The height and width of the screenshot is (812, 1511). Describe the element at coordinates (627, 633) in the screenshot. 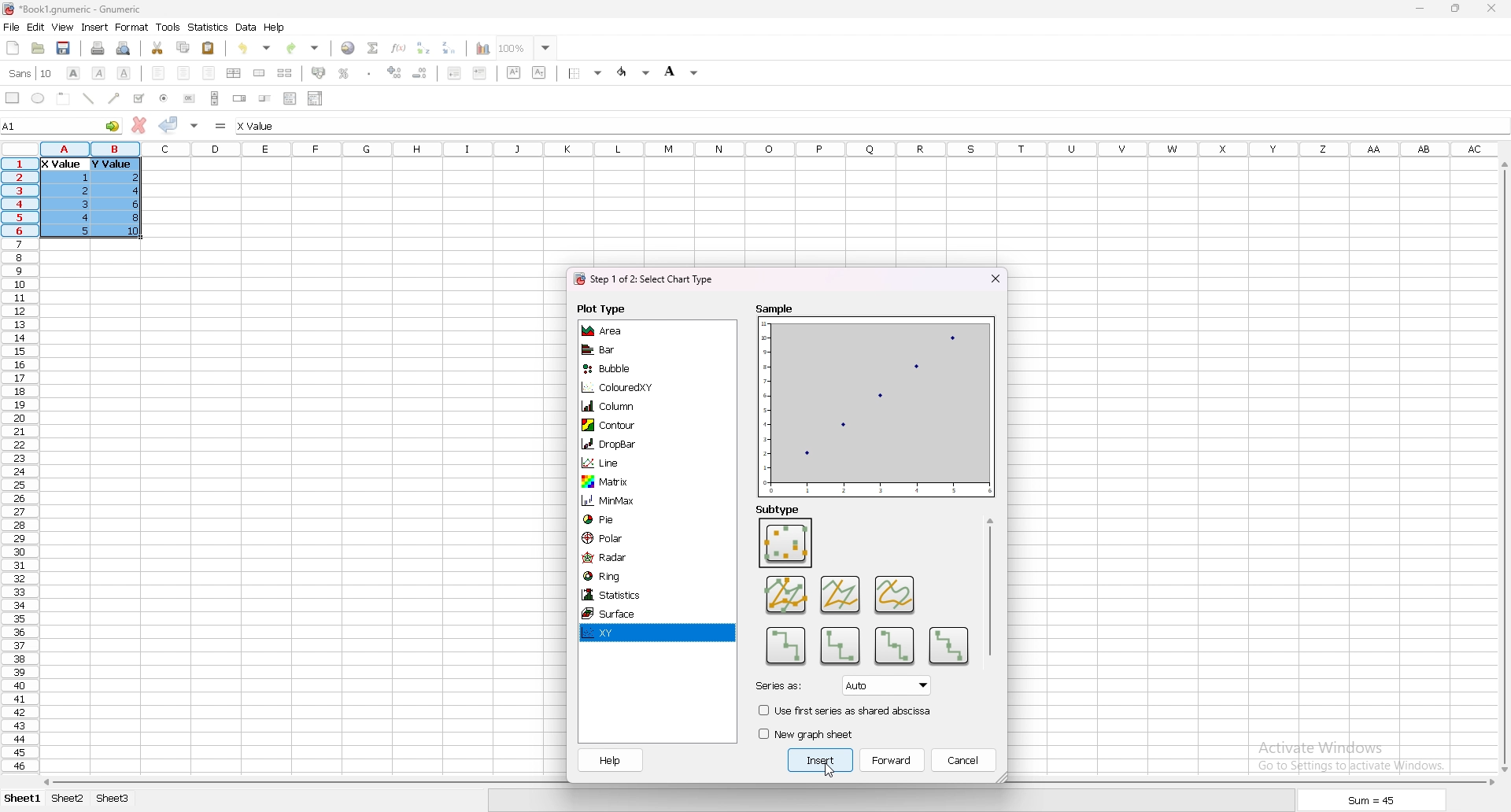

I see `xy` at that location.